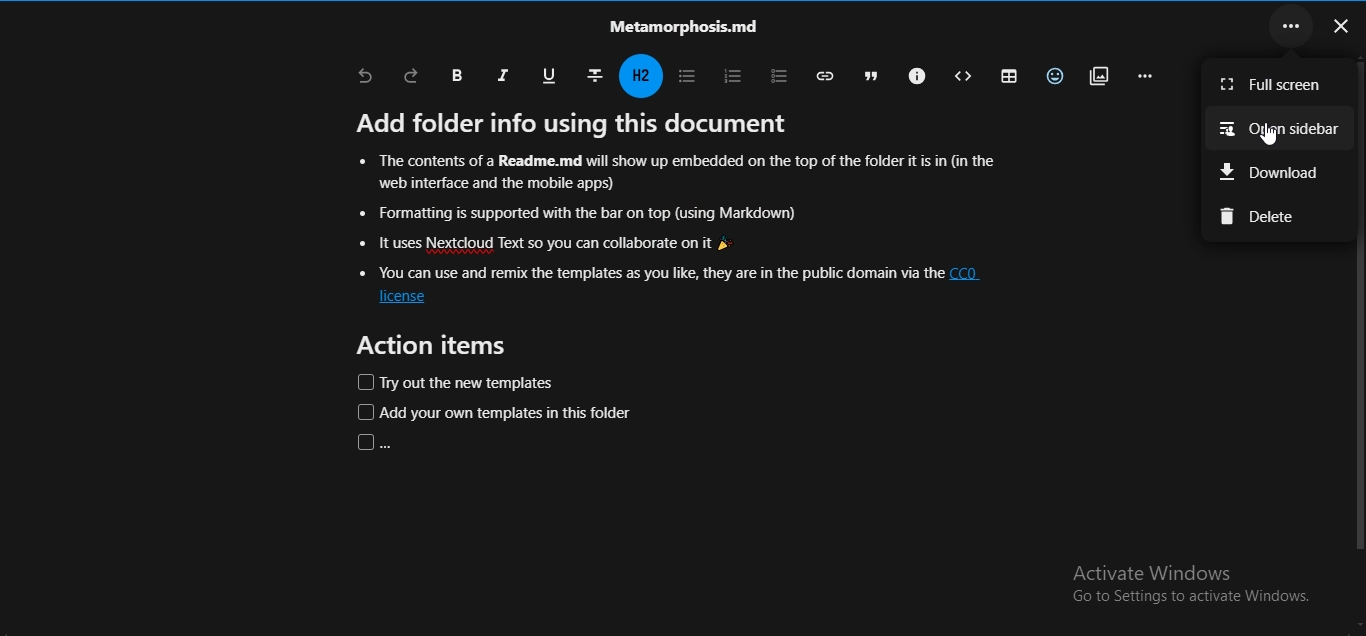  What do you see at coordinates (688, 75) in the screenshot?
I see `unordered list` at bounding box center [688, 75].